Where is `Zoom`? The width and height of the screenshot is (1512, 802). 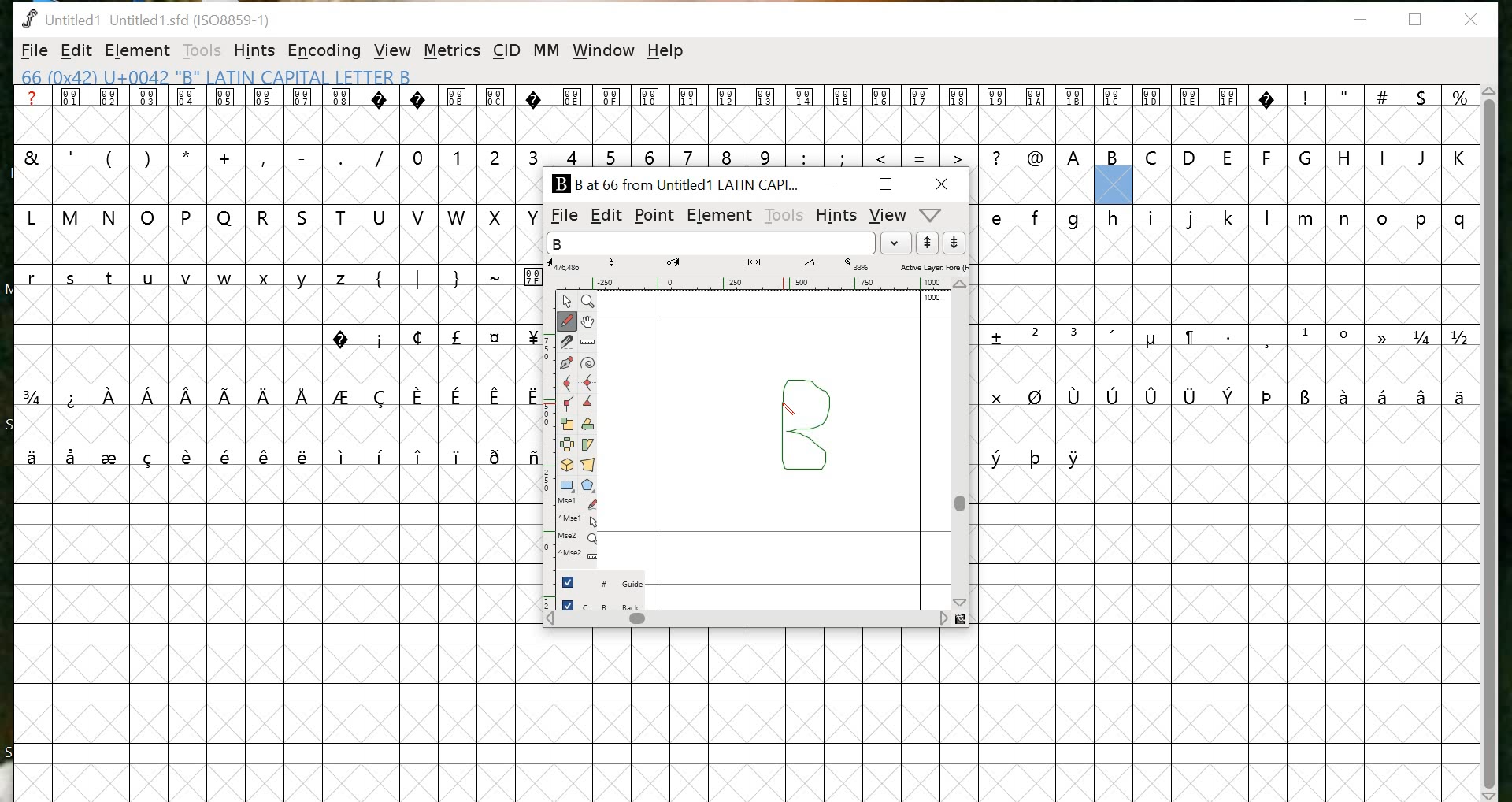 Zoom is located at coordinates (589, 302).